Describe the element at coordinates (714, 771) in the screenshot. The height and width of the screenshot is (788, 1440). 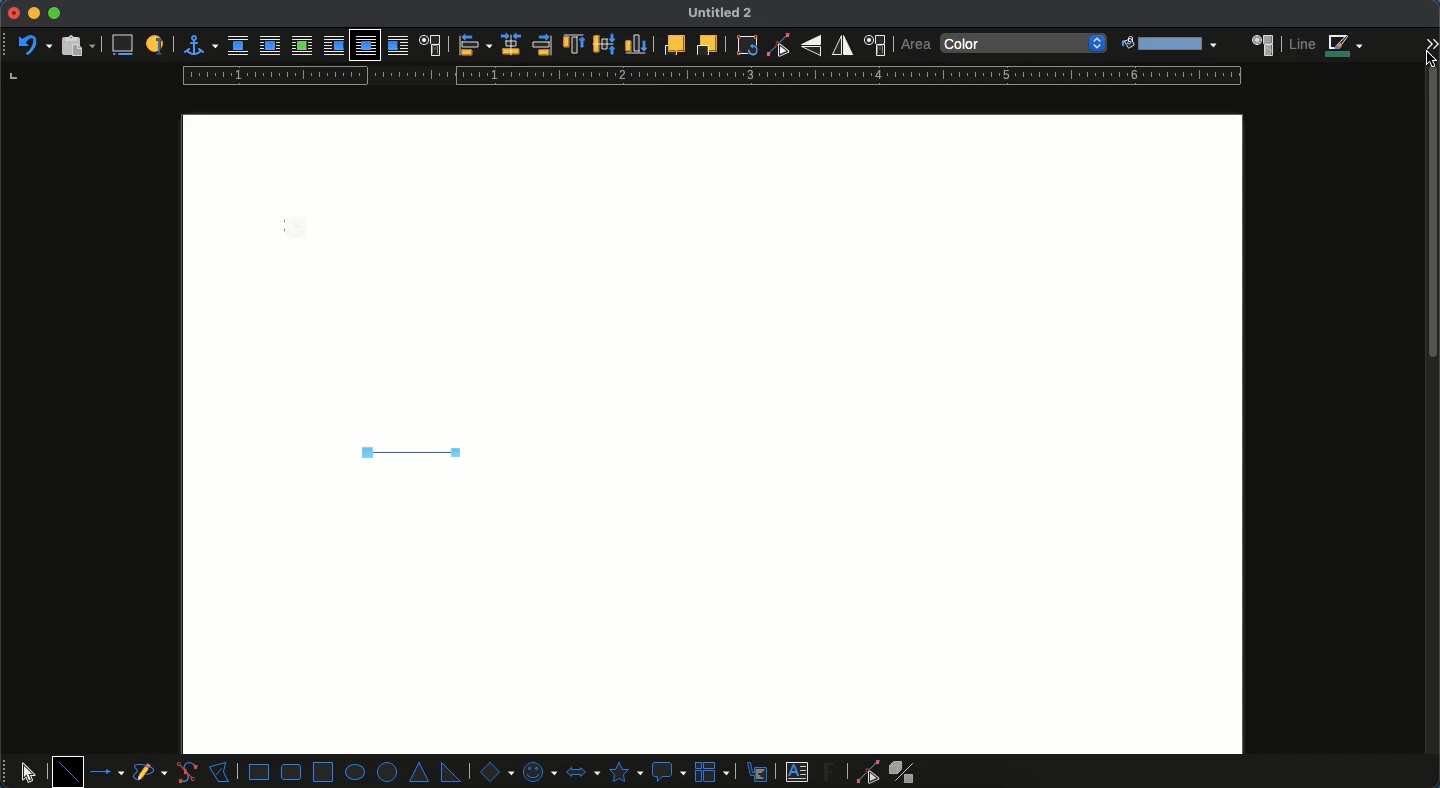
I see `flowchart` at that location.